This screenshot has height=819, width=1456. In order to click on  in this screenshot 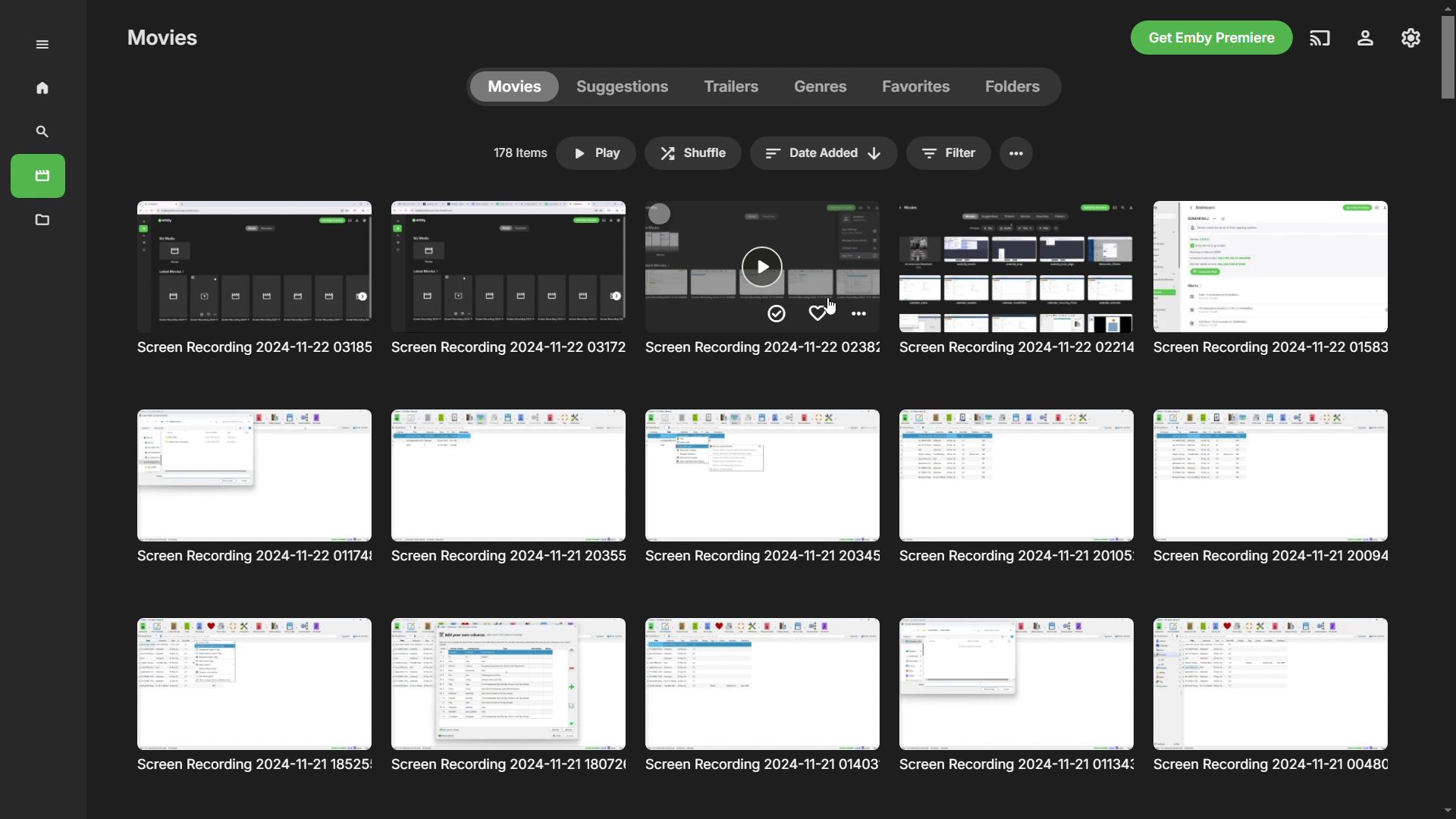, I will do `click(508, 697)`.